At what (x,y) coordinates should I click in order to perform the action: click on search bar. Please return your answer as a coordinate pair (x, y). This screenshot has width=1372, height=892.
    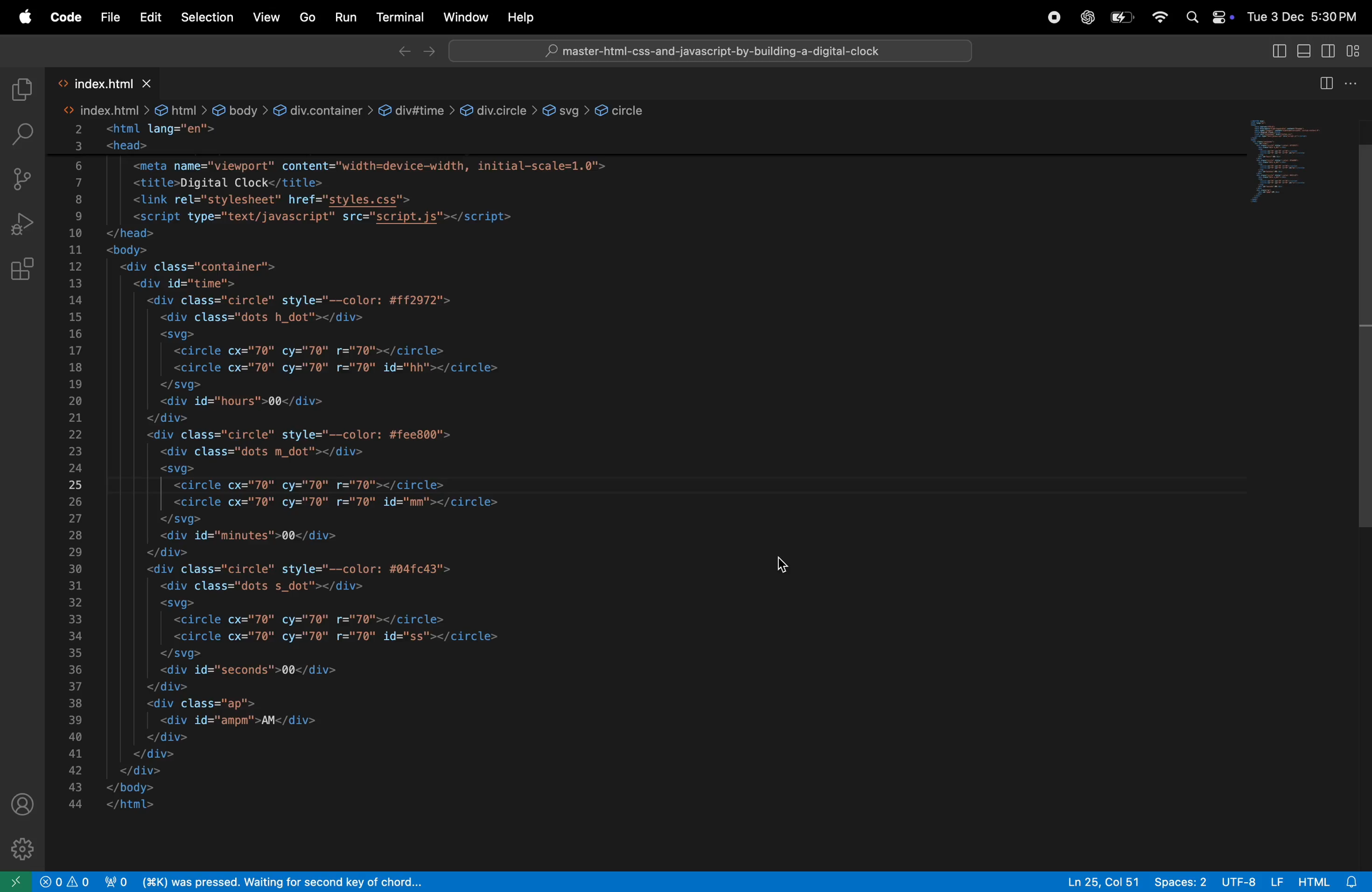
    Looking at the image, I should click on (708, 52).